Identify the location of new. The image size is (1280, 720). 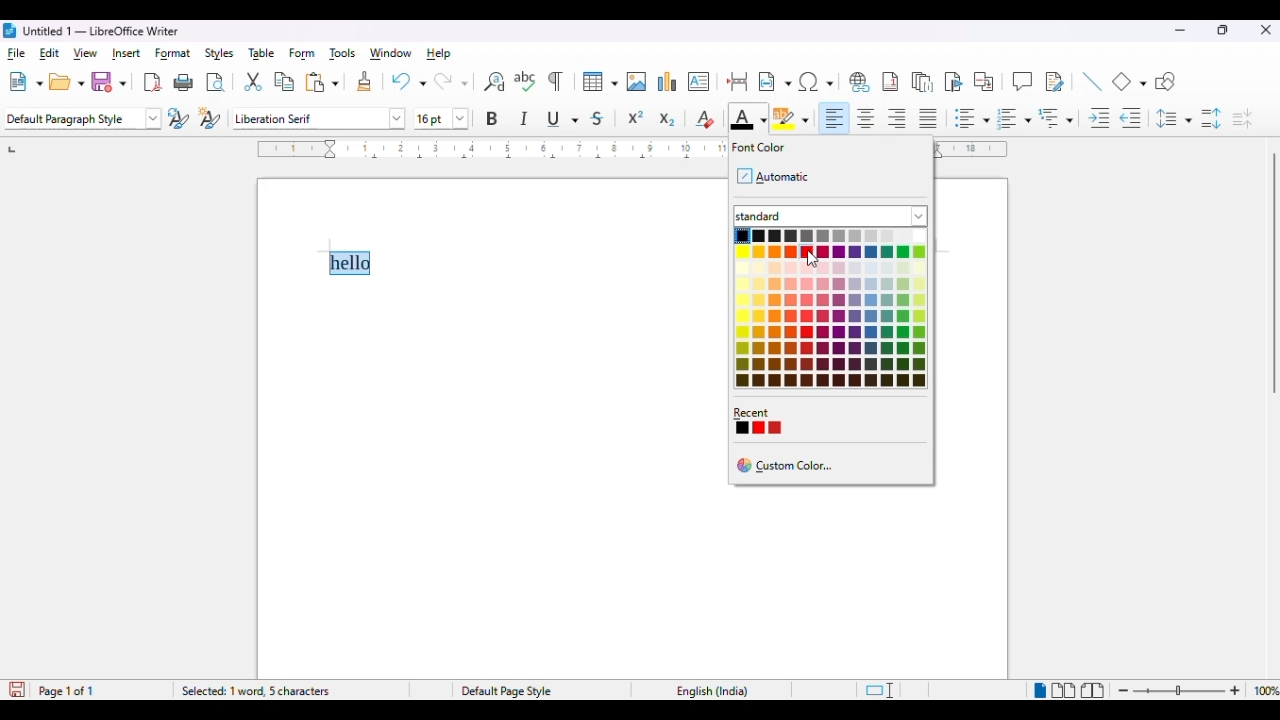
(25, 83).